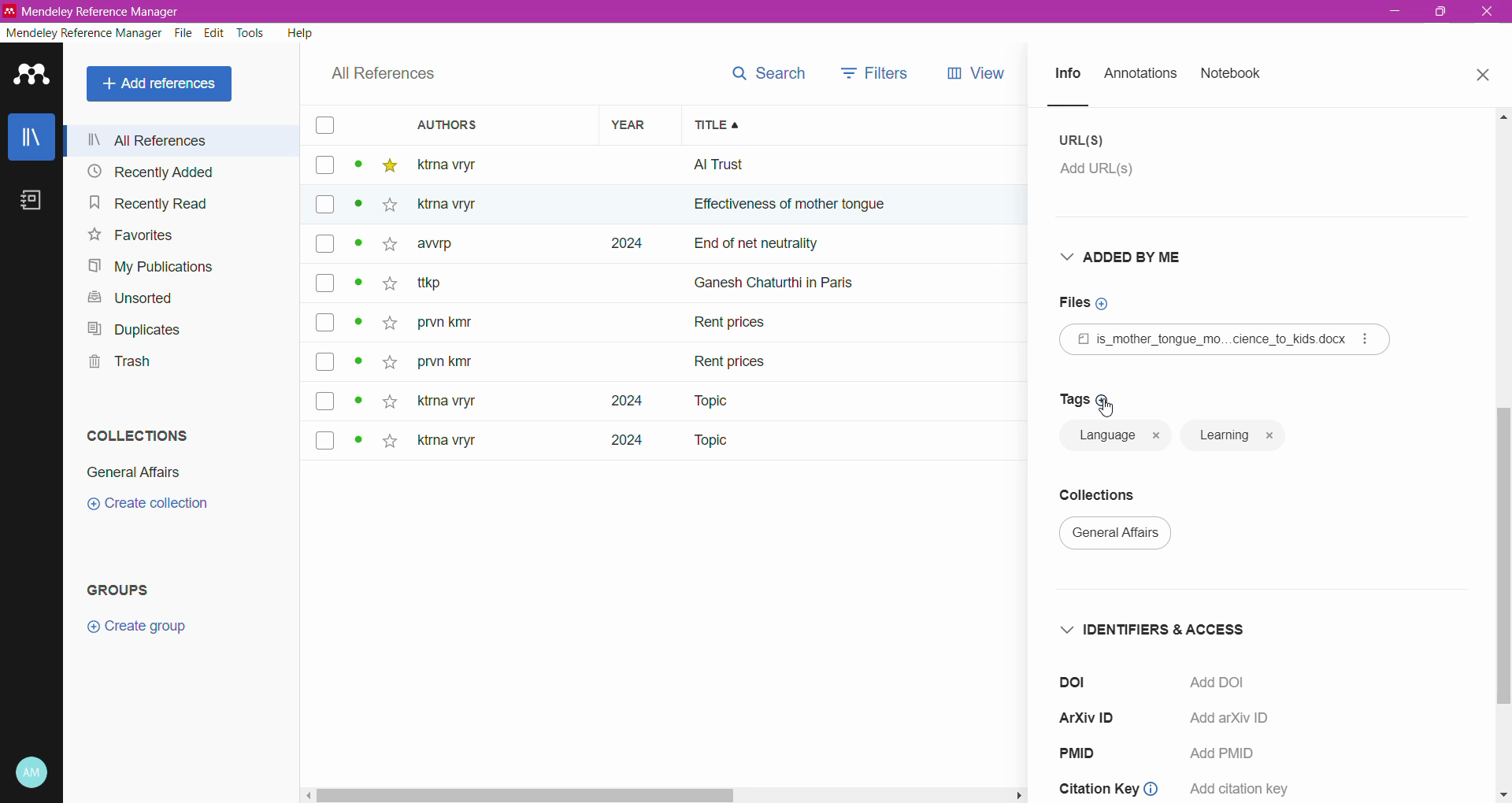 The image size is (1512, 803). I want to click on exit, so click(1490, 16).